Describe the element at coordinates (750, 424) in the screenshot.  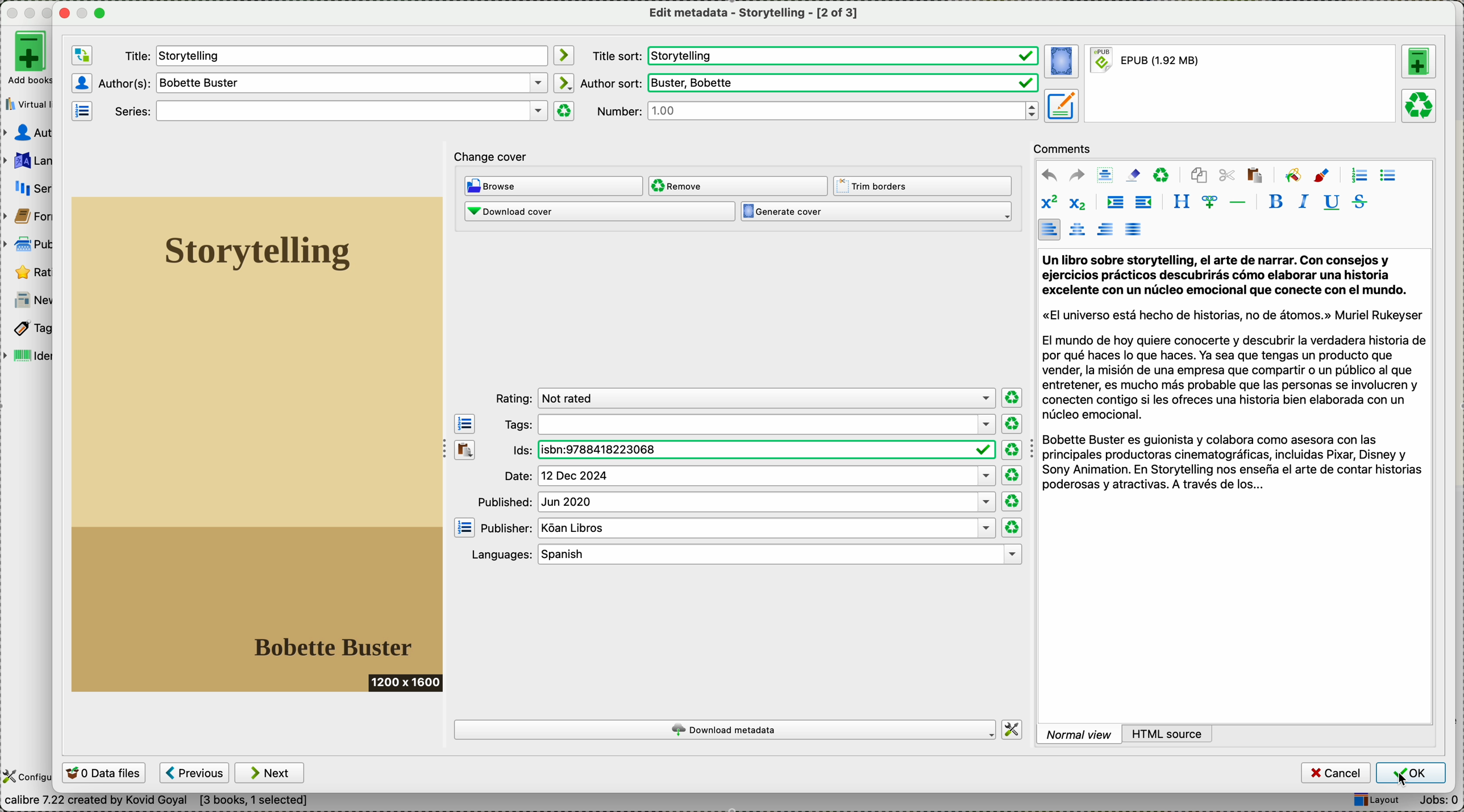
I see `tags` at that location.